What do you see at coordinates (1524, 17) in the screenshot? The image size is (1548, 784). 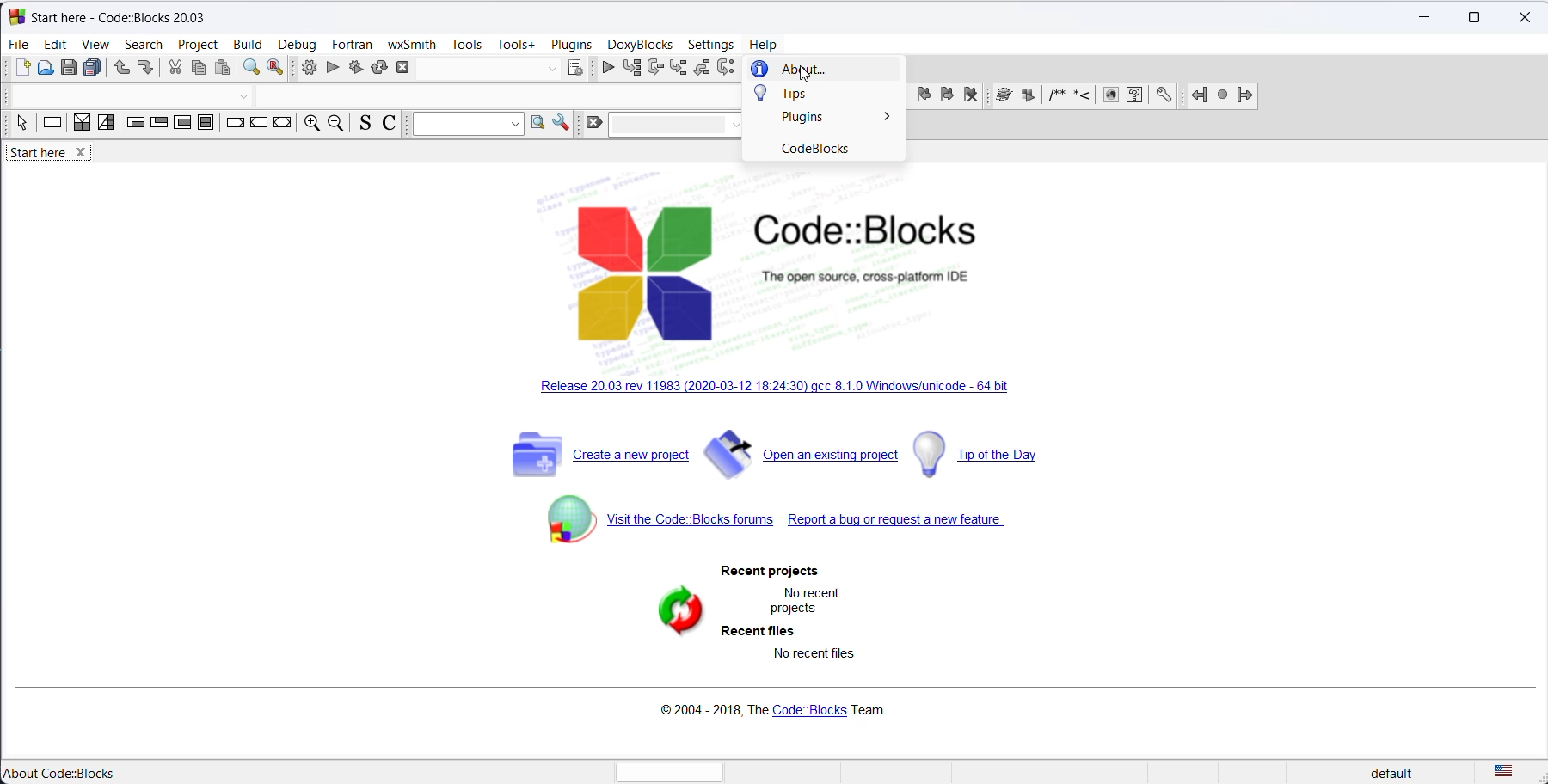 I see `close` at bounding box center [1524, 17].